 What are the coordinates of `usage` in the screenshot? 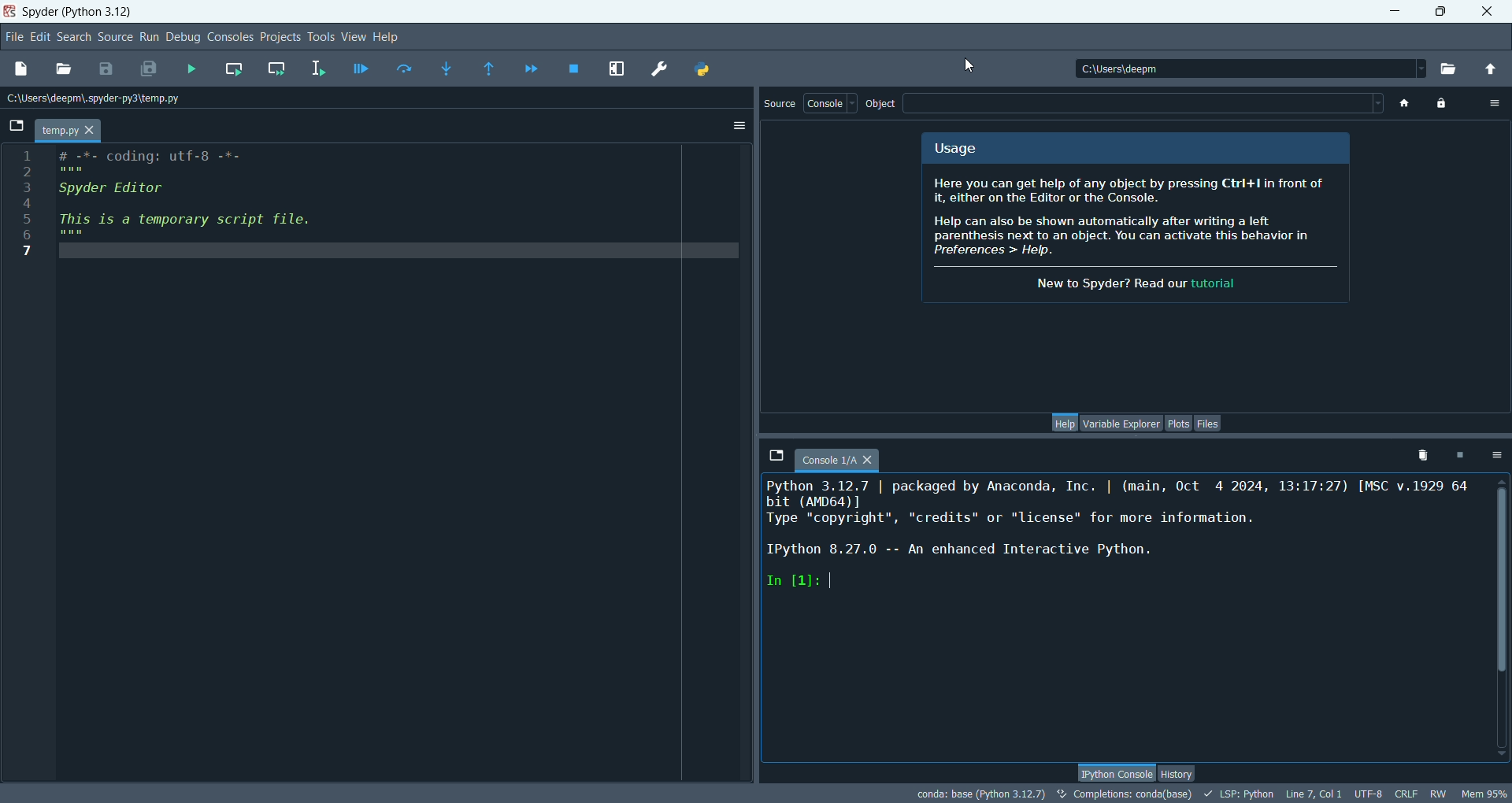 It's located at (965, 149).